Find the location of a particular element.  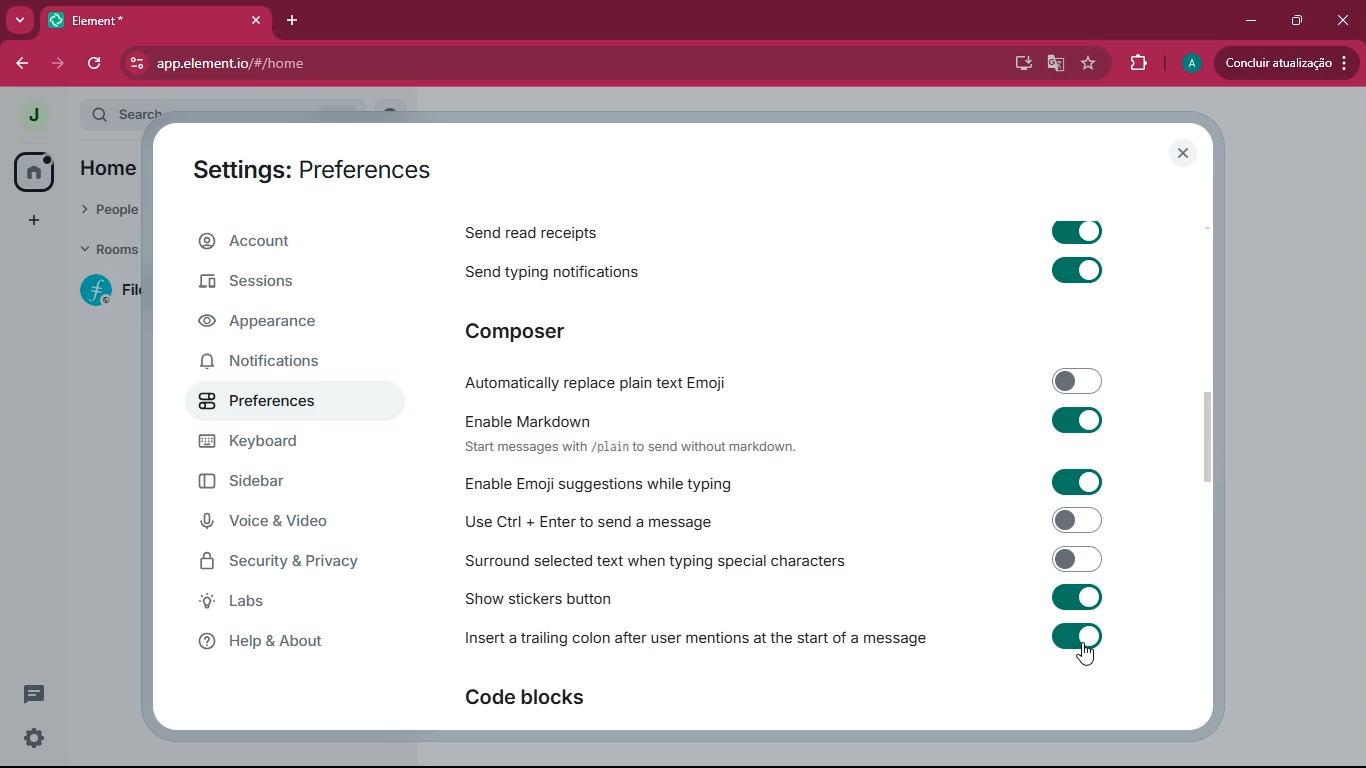

quick settings is located at coordinates (35, 737).